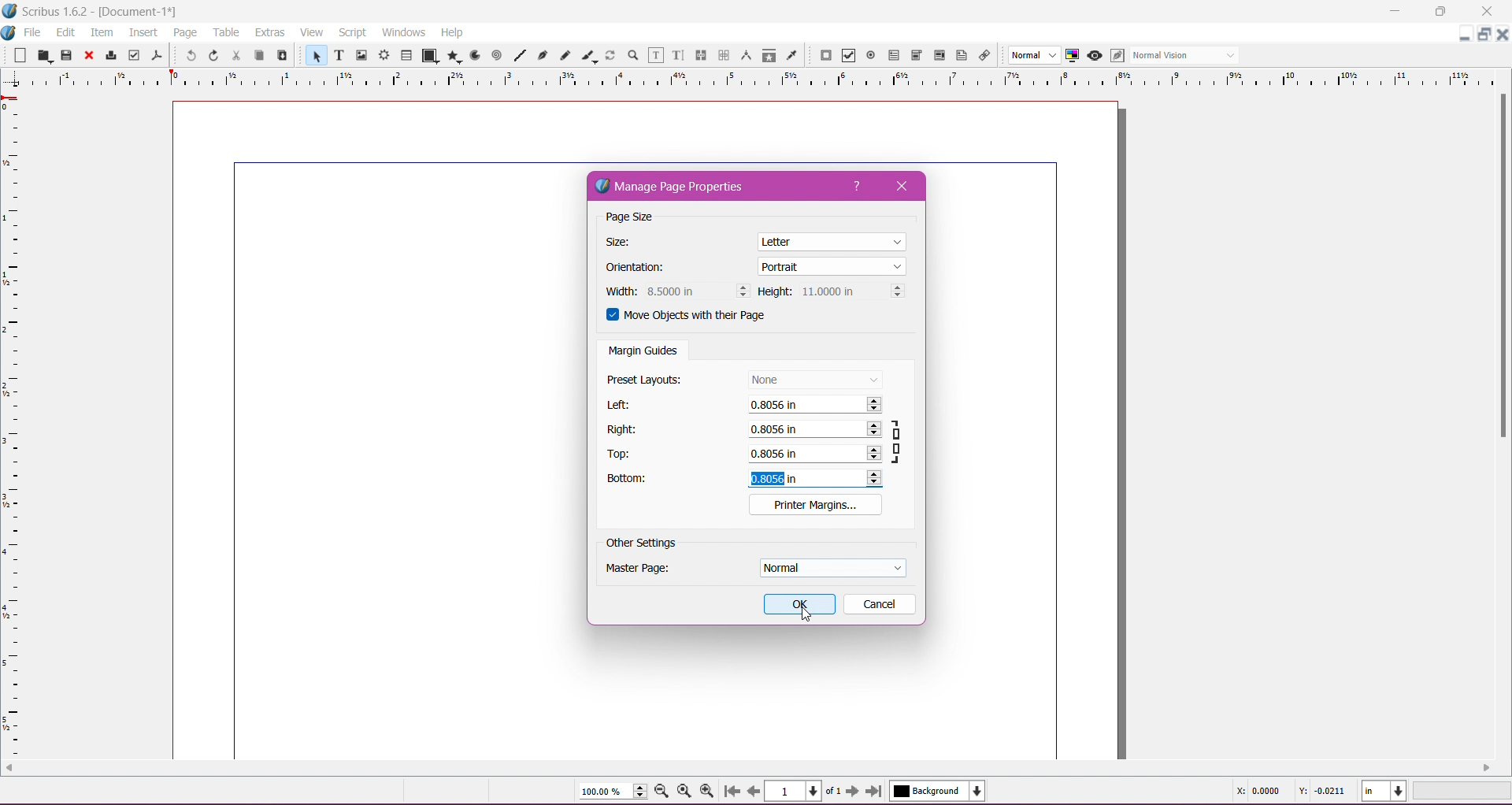 The height and width of the screenshot is (805, 1512). I want to click on Set Master Page Settings, so click(831, 568).